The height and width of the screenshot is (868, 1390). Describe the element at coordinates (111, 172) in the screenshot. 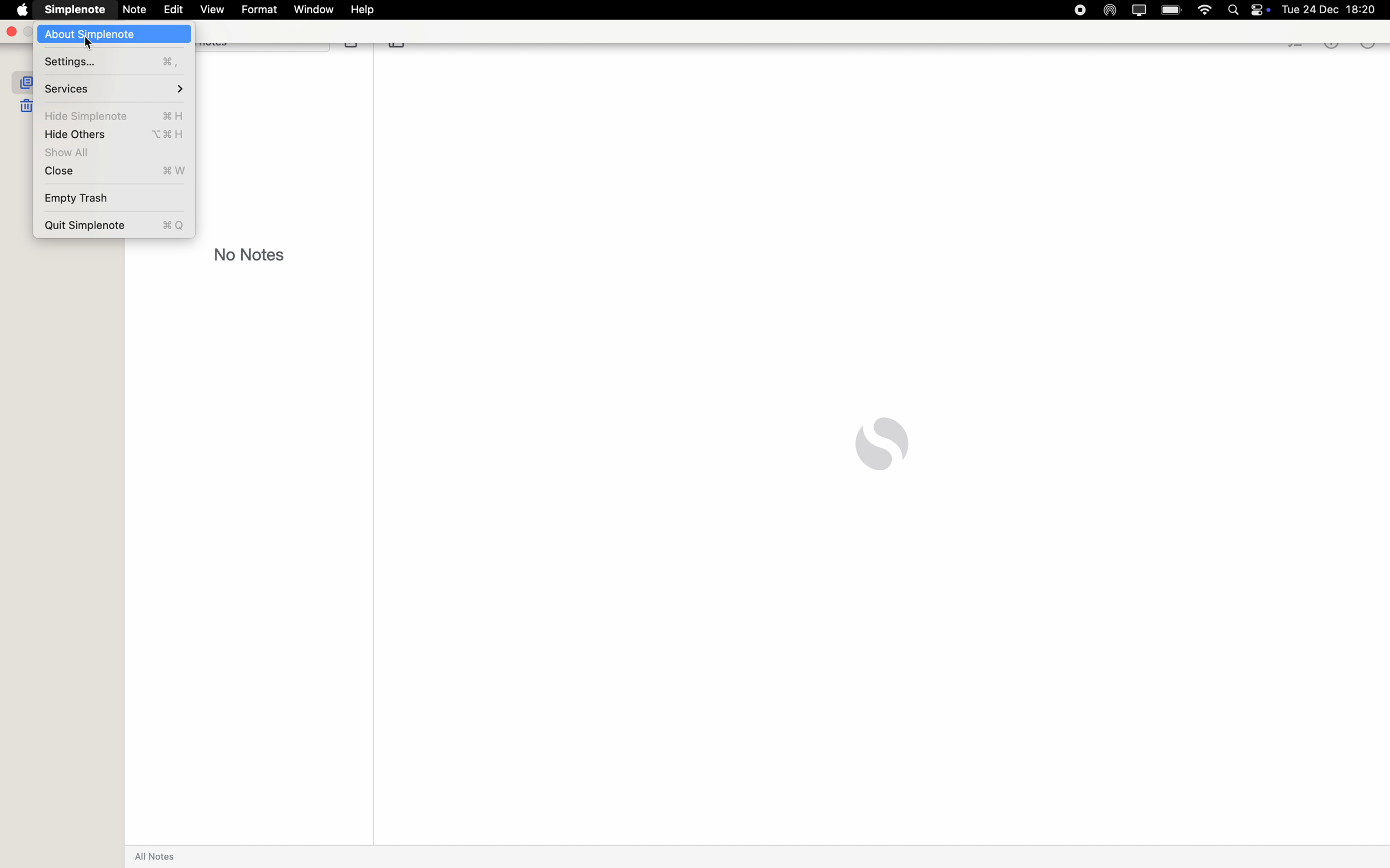

I see `close` at that location.